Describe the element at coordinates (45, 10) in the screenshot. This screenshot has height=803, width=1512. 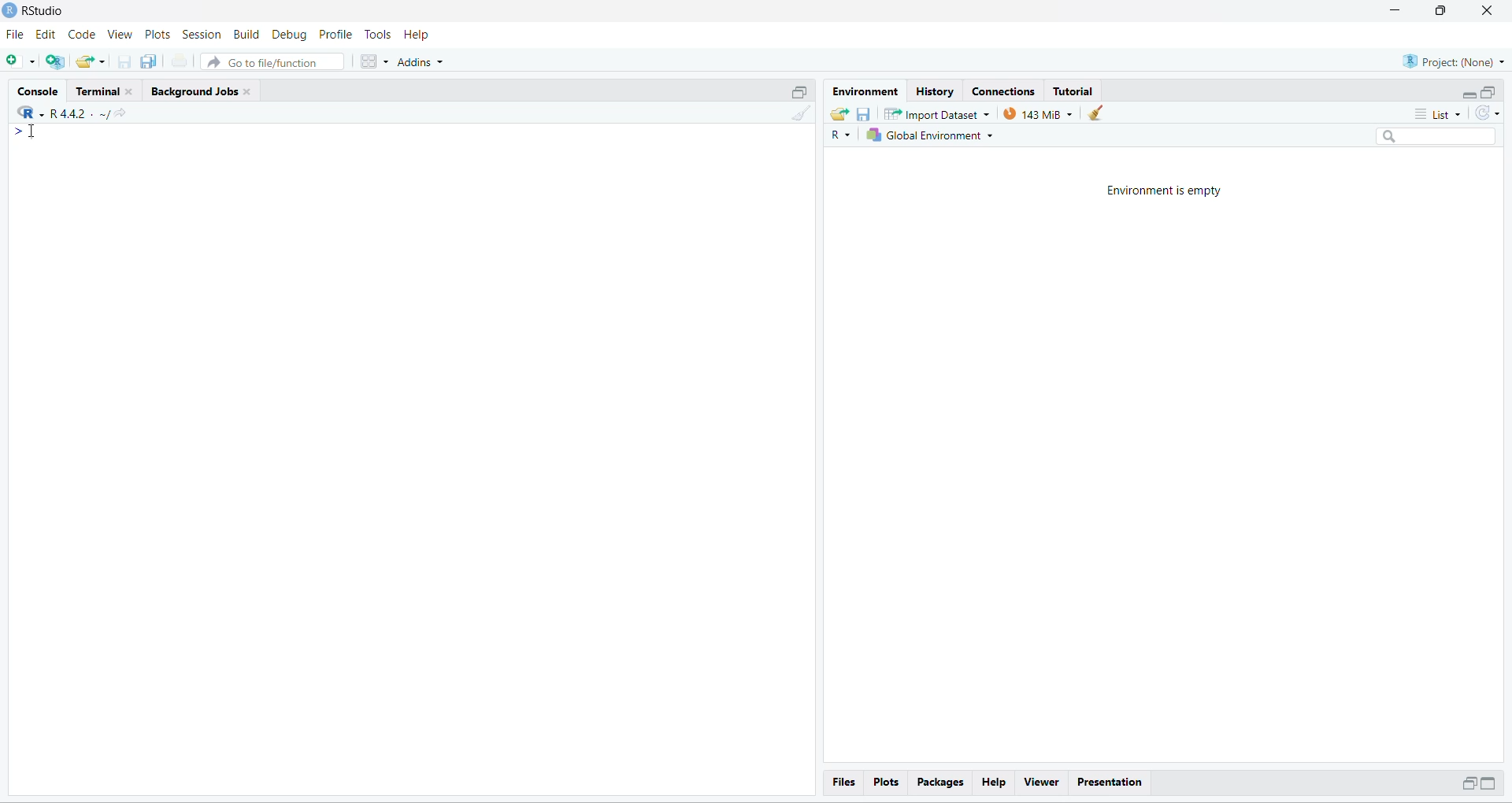
I see `RStudio` at that location.